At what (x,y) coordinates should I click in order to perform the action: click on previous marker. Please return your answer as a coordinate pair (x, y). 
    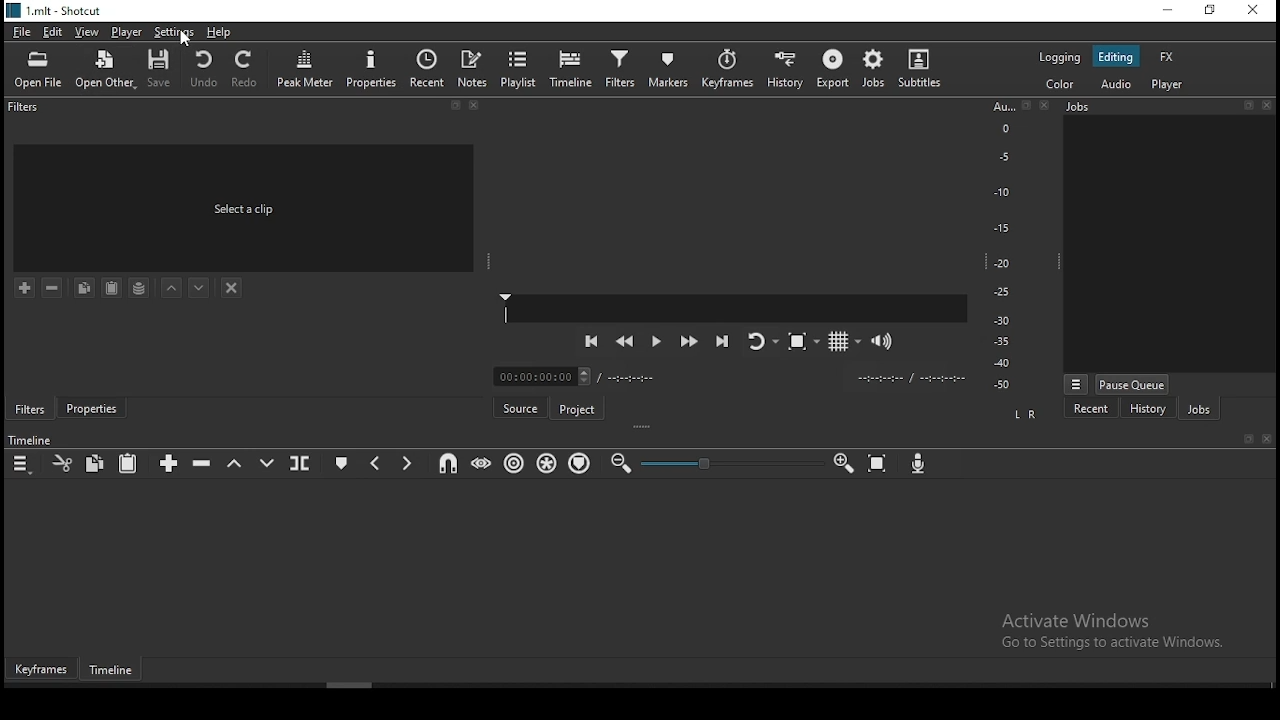
    Looking at the image, I should click on (377, 460).